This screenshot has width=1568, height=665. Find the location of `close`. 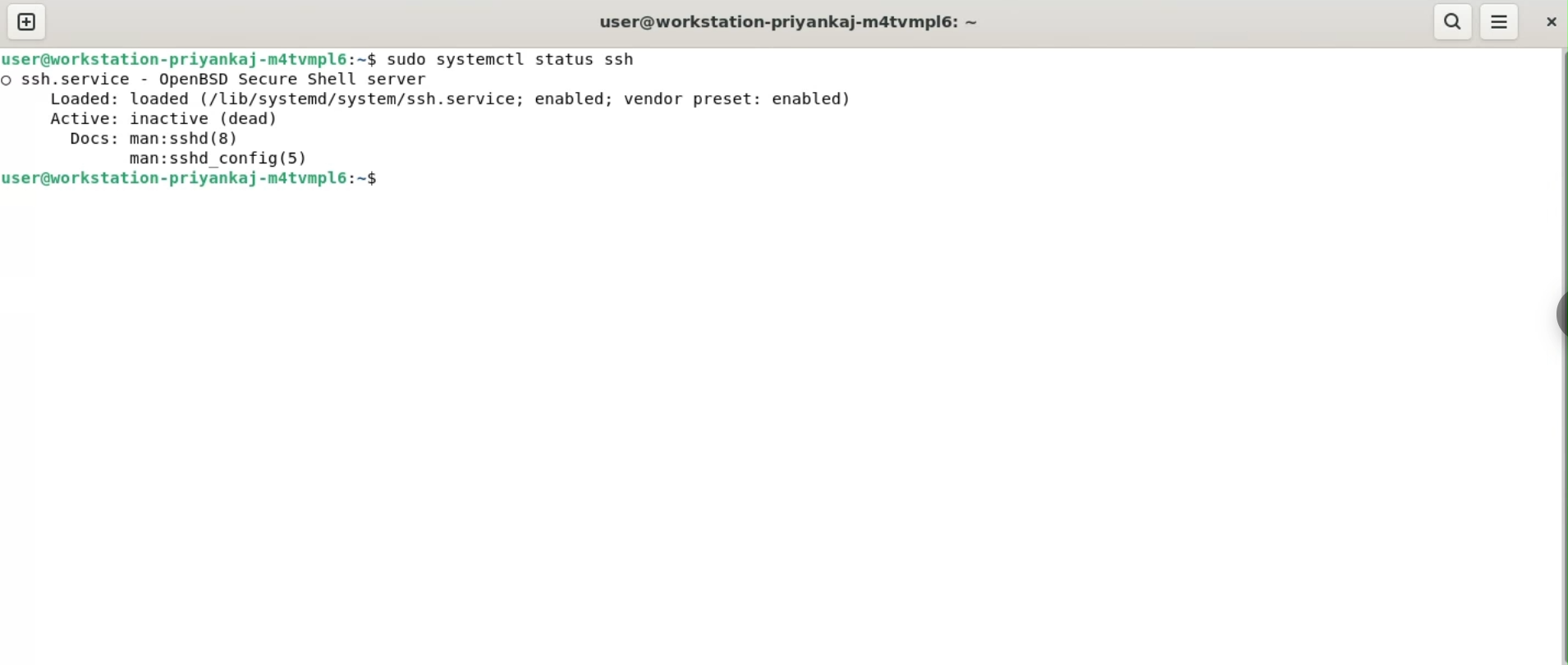

close is located at coordinates (1548, 22).